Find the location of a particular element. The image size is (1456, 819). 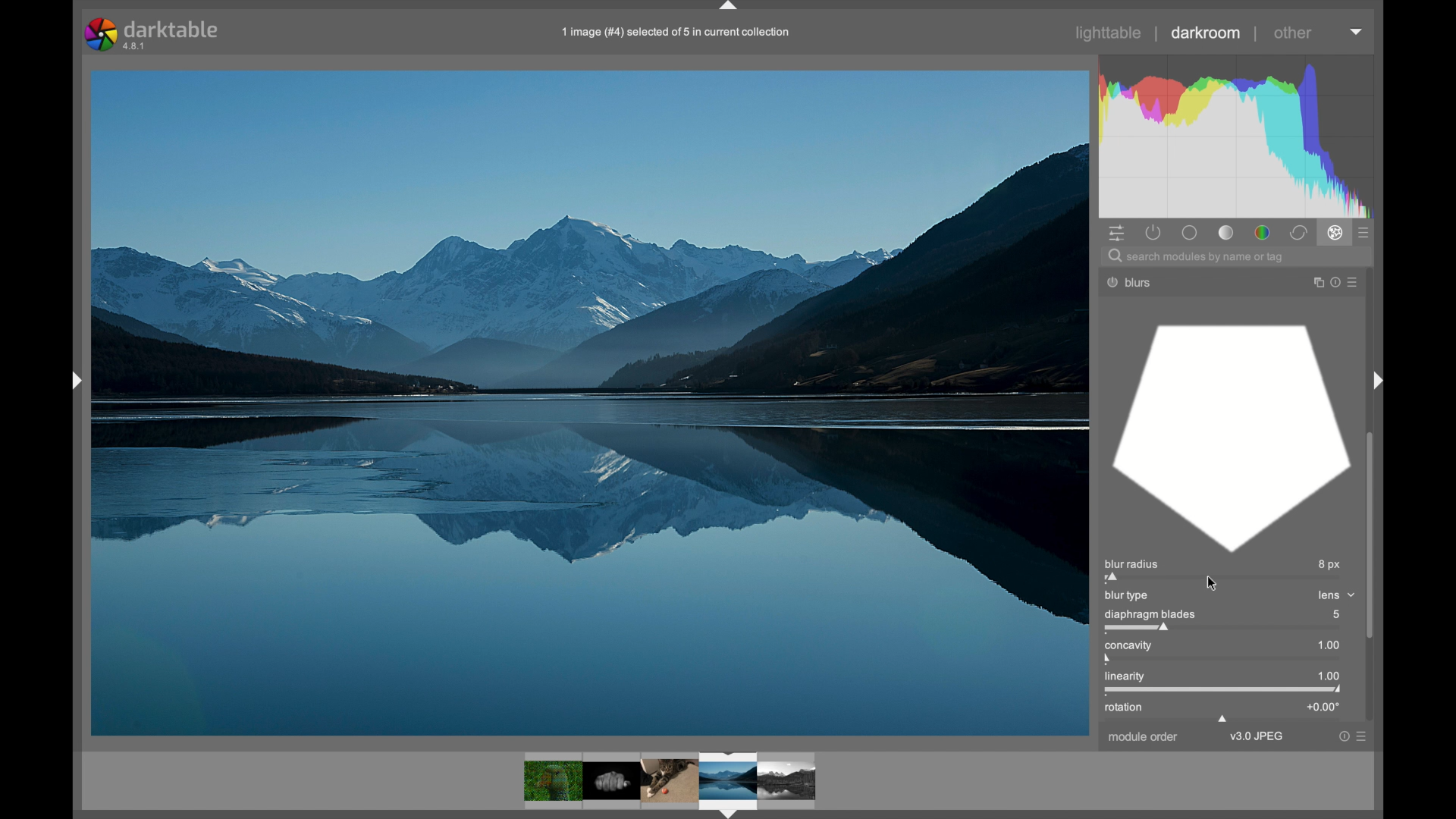

5 is located at coordinates (1337, 613).